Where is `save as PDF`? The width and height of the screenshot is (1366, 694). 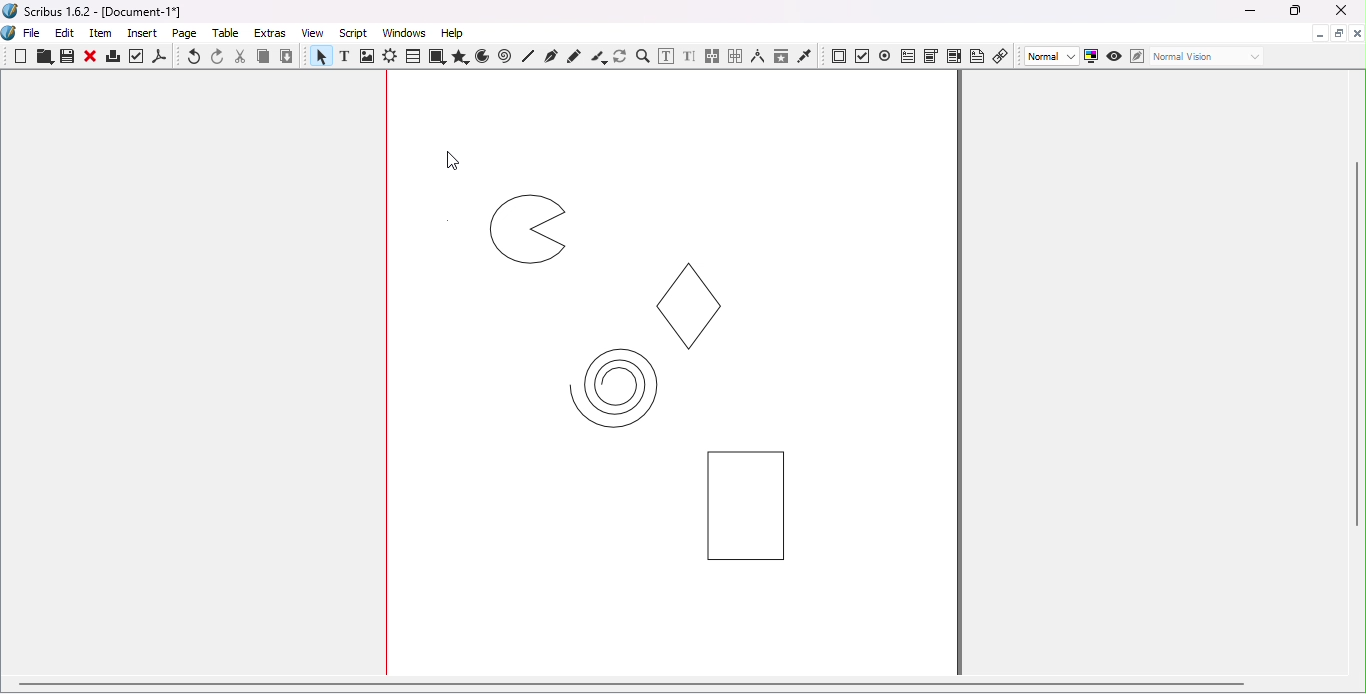
save as PDF is located at coordinates (161, 59).